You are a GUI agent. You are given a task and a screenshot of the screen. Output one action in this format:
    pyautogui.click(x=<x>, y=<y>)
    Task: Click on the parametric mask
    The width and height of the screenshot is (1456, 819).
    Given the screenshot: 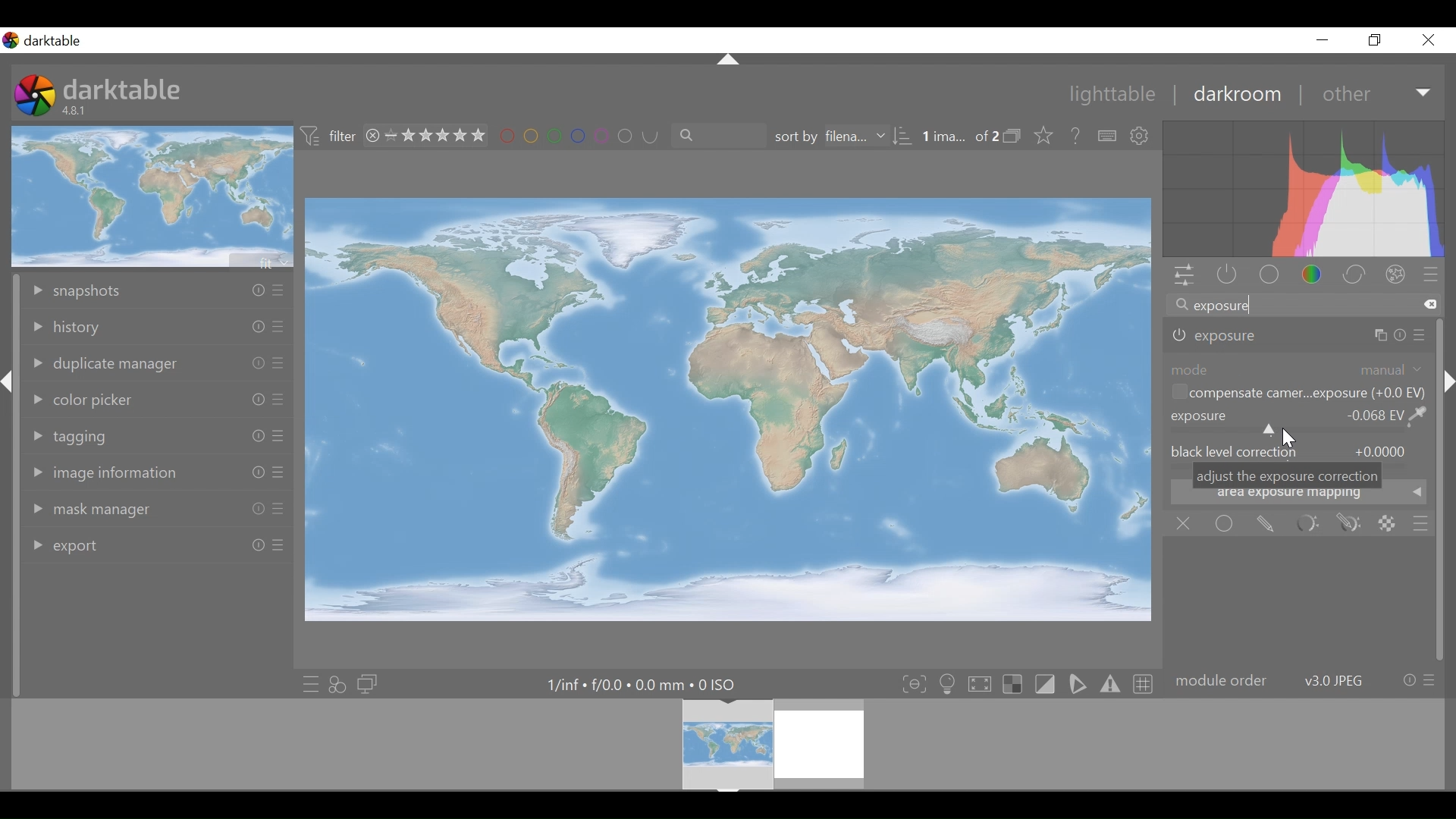 What is the action you would take?
    pyautogui.click(x=1309, y=523)
    